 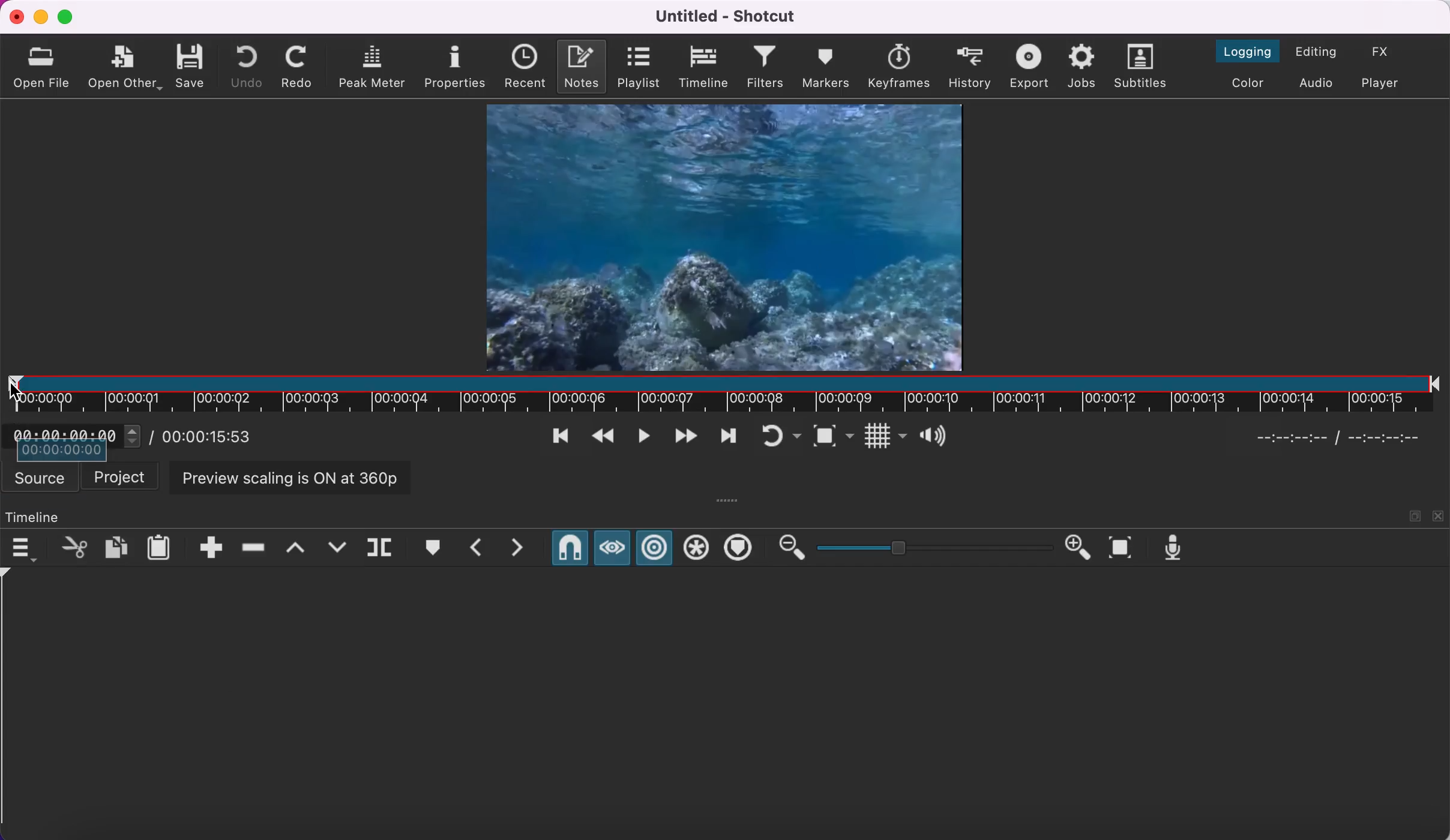 What do you see at coordinates (39, 478) in the screenshot?
I see `source` at bounding box center [39, 478].